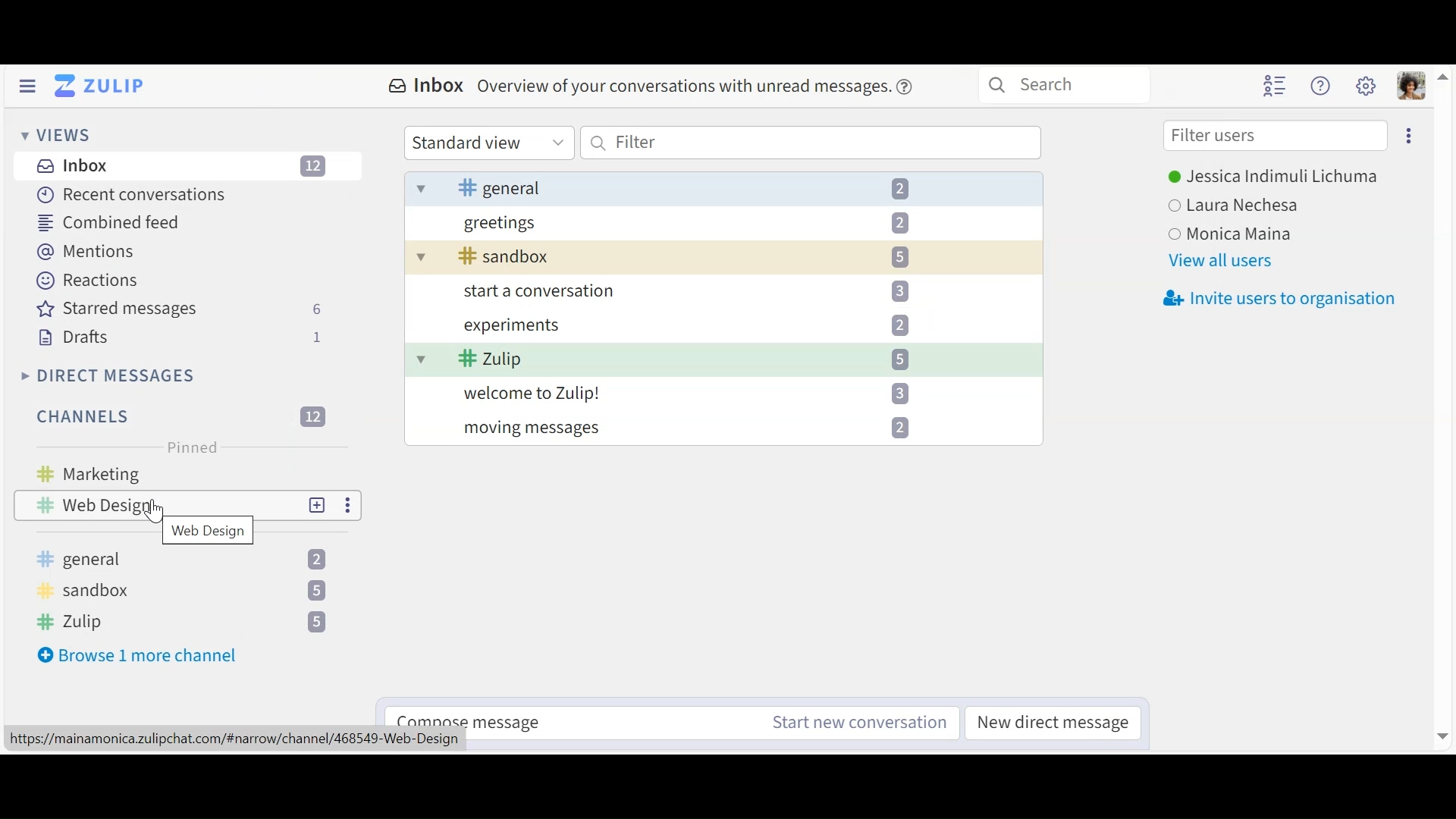 This screenshot has width=1456, height=819. What do you see at coordinates (180, 417) in the screenshot?
I see `Channels` at bounding box center [180, 417].